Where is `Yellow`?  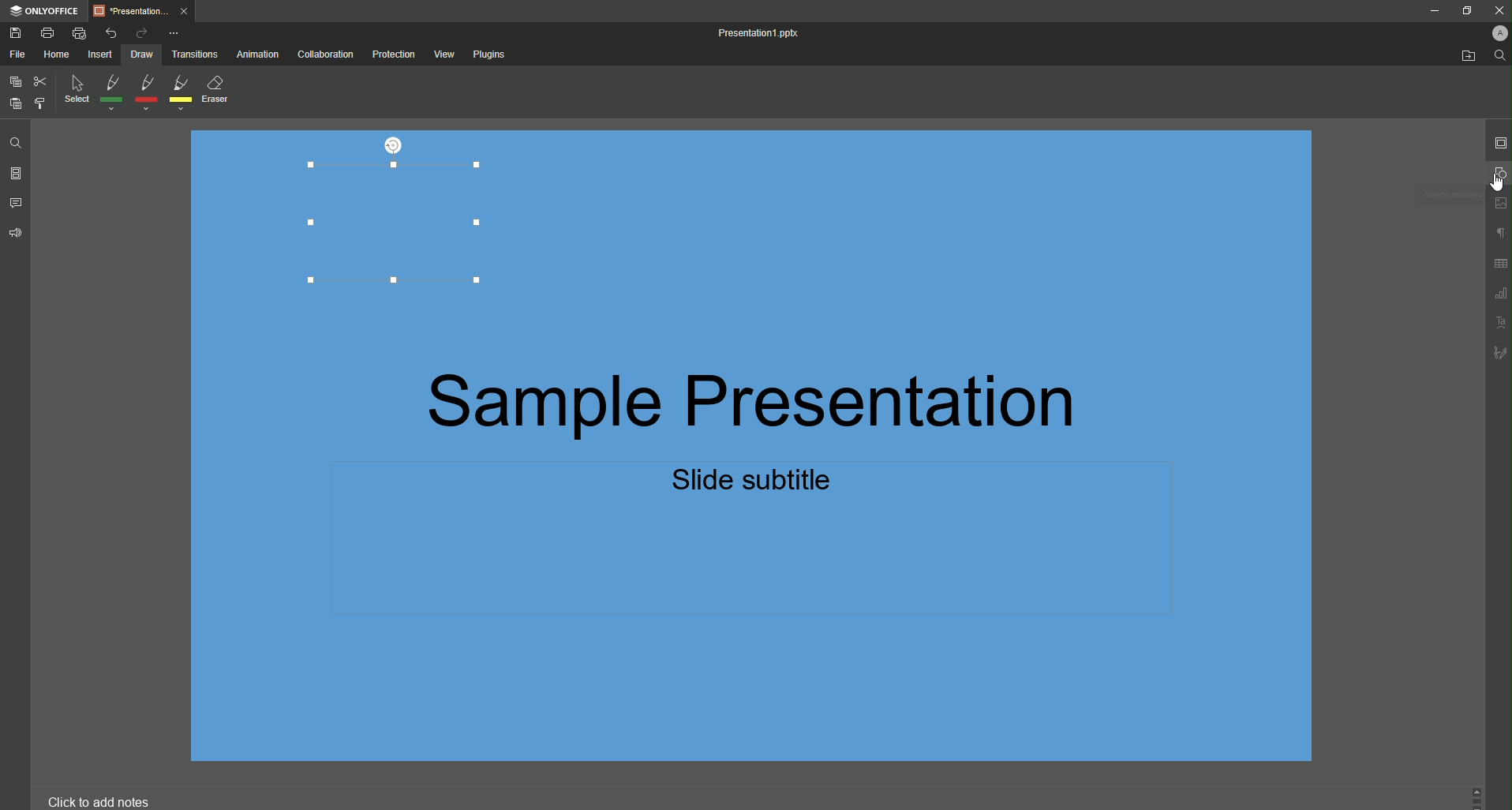
Yellow is located at coordinates (182, 93).